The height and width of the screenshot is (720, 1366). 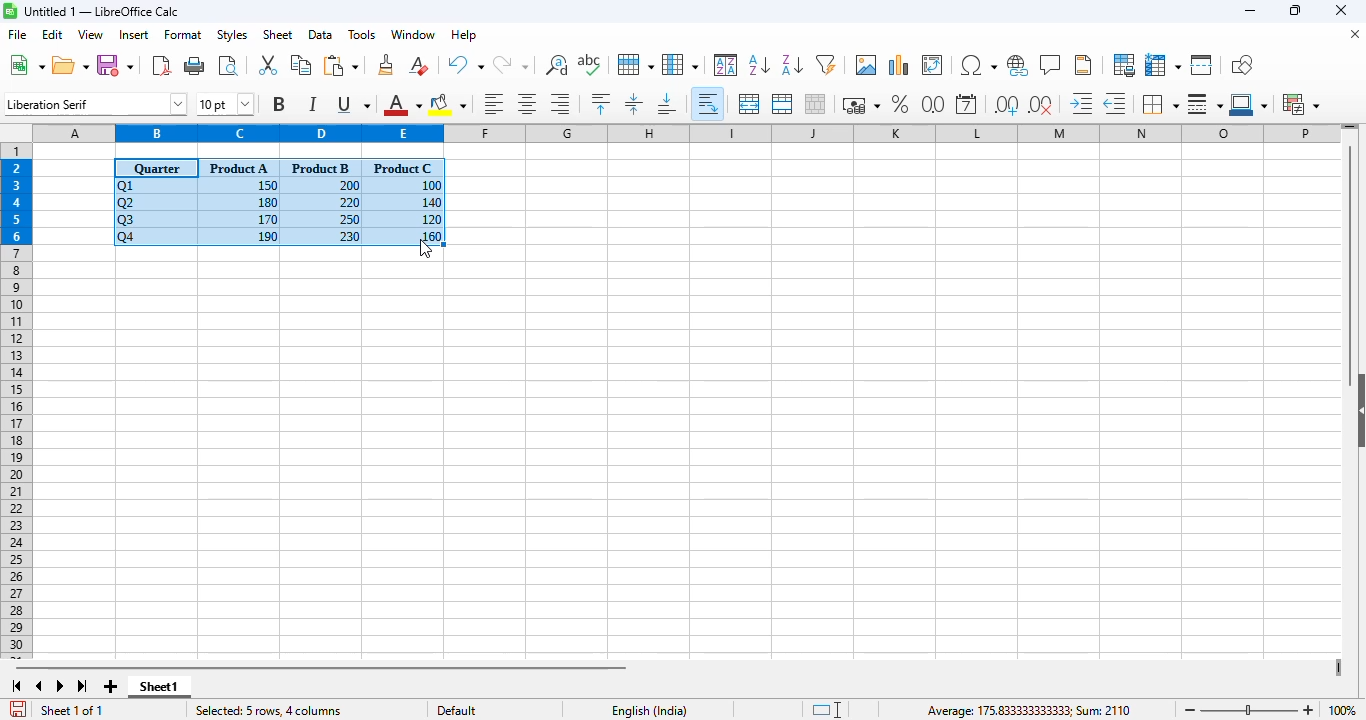 I want to click on Average: 175.833333333333; Sum: 2110, so click(x=1028, y=710).